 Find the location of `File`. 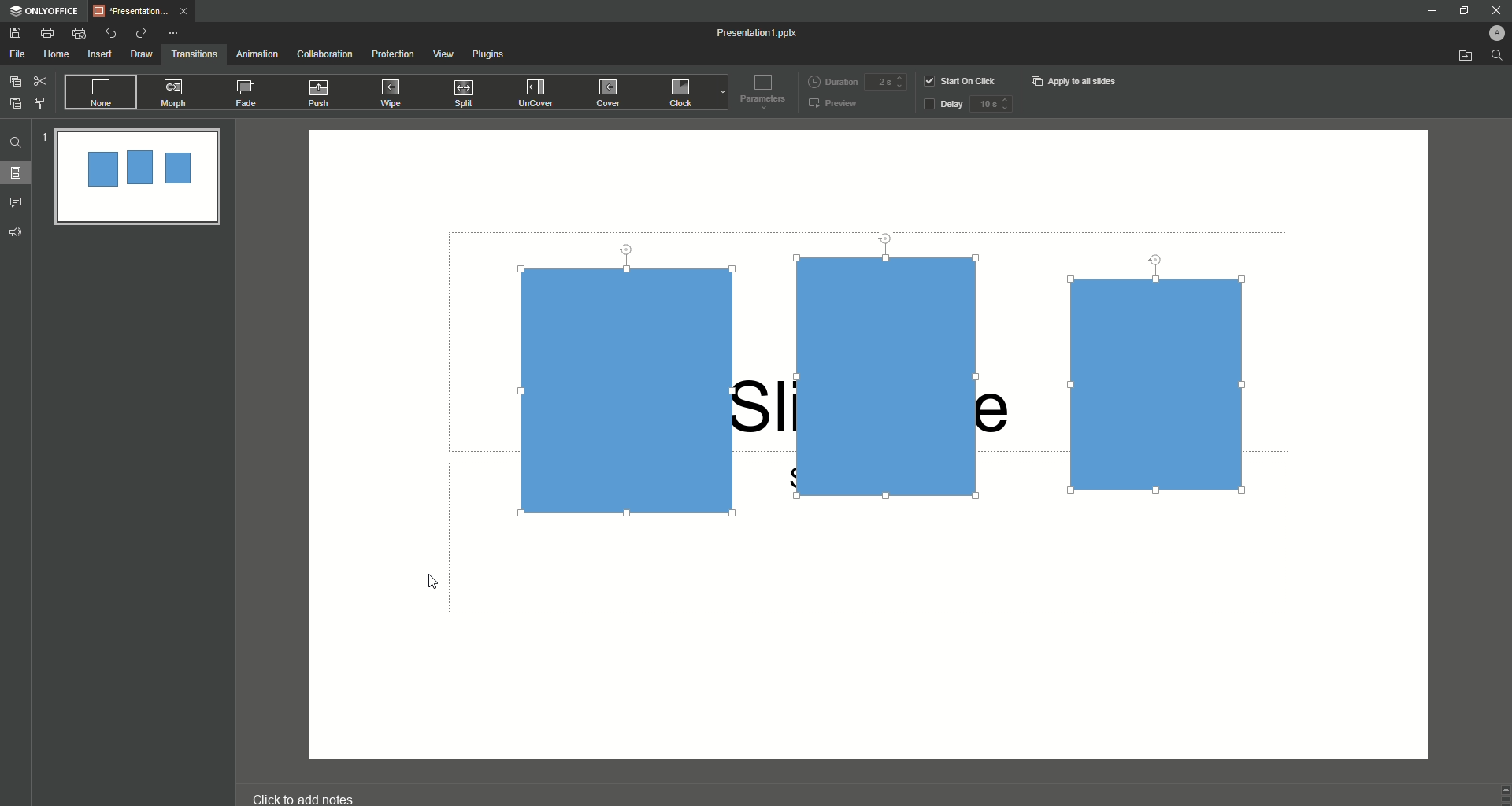

File is located at coordinates (18, 54).